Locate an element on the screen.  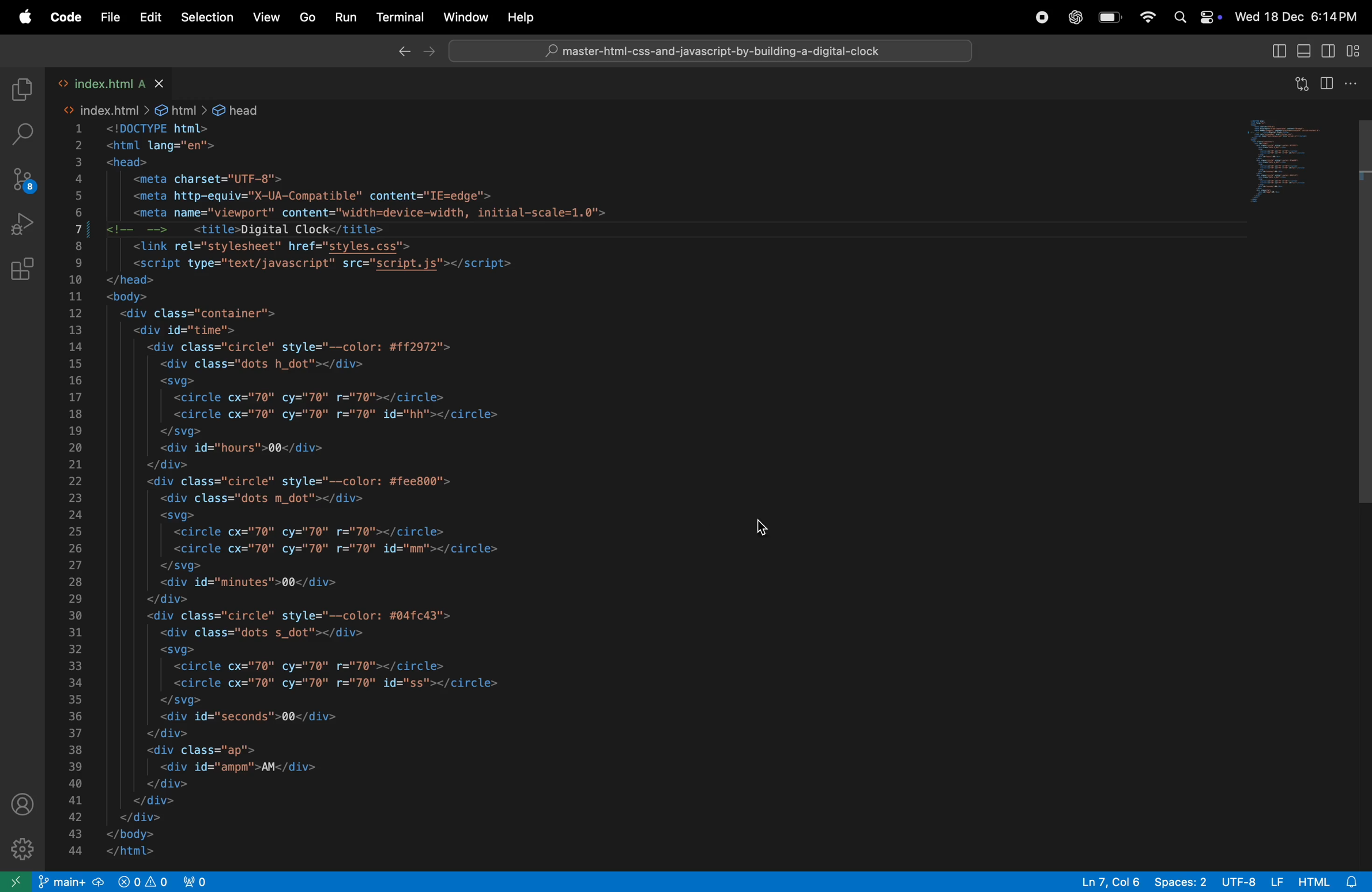
code block written in html for from page is located at coordinates (444, 147).